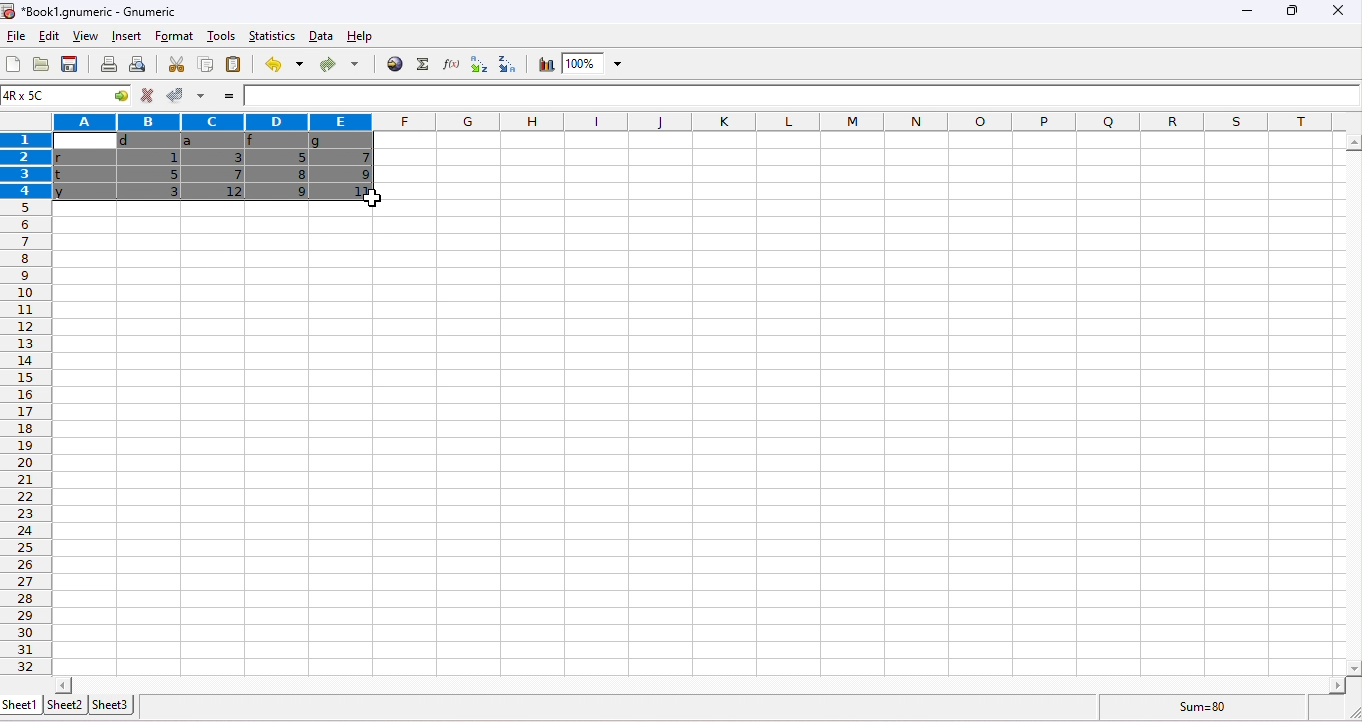  What do you see at coordinates (113, 704) in the screenshot?
I see `sheet3` at bounding box center [113, 704].